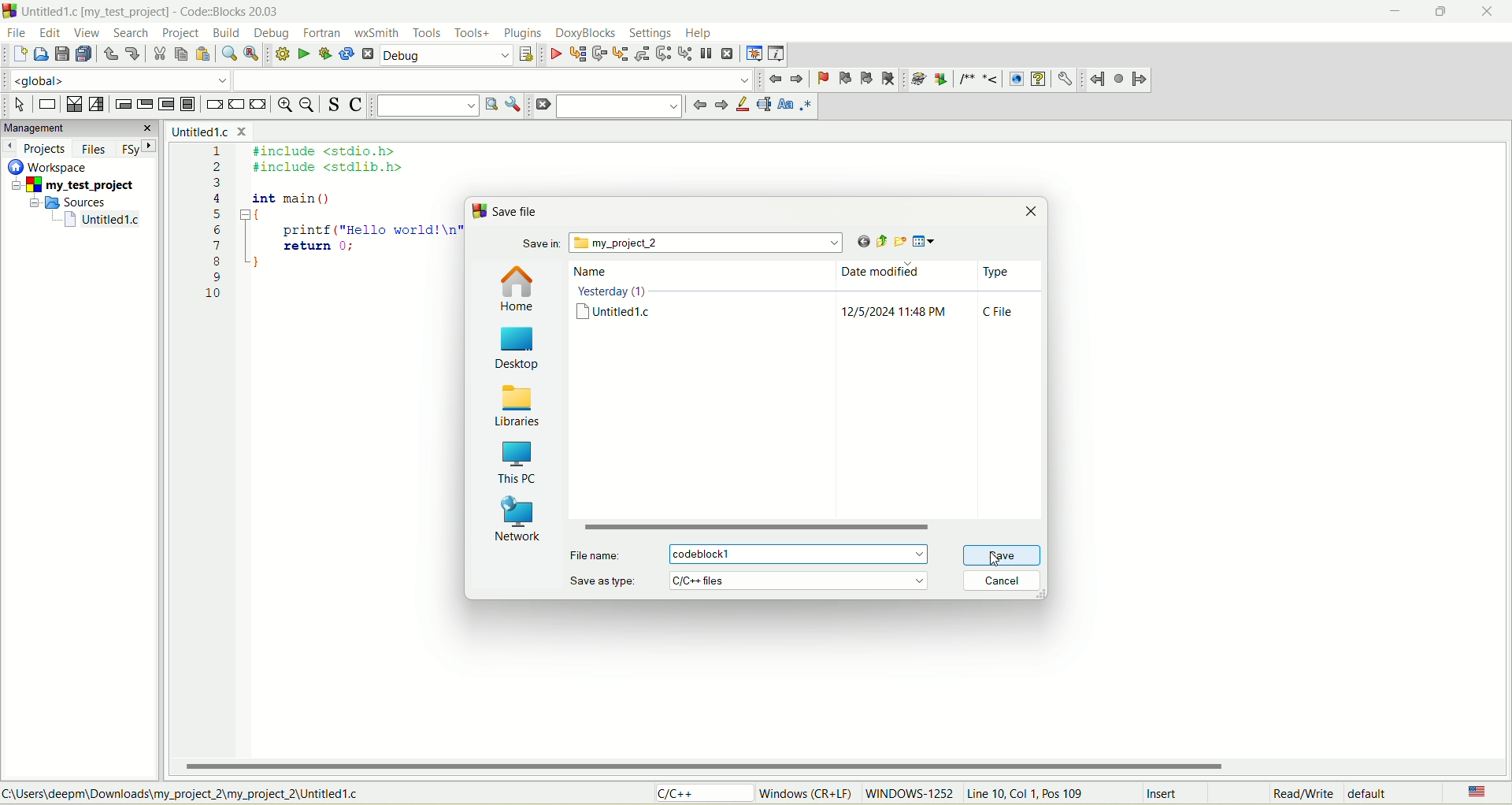 This screenshot has height=805, width=1512. I want to click on save as type, so click(752, 580).